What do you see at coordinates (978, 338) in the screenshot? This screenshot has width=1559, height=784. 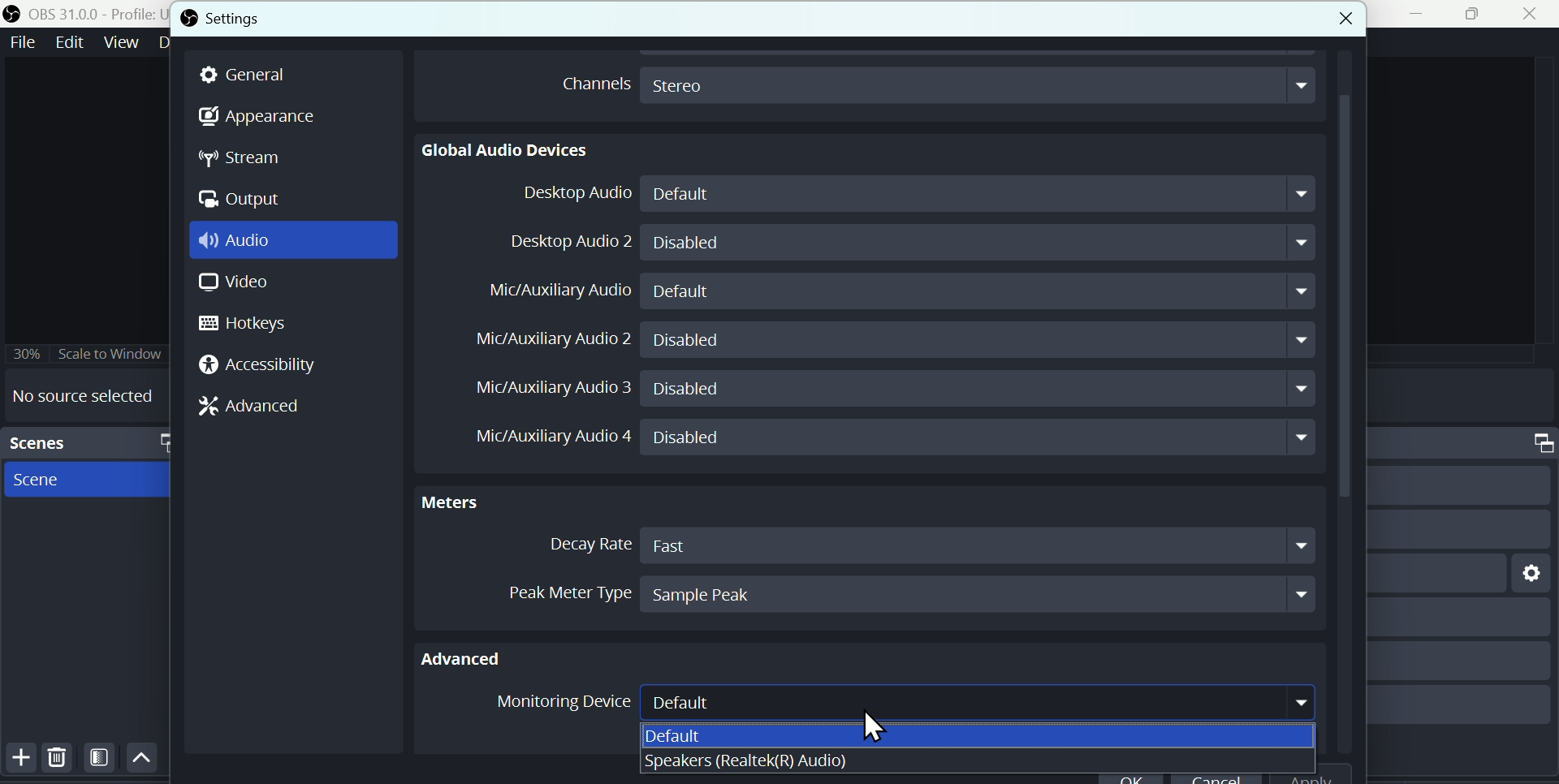 I see `Disabled` at bounding box center [978, 338].